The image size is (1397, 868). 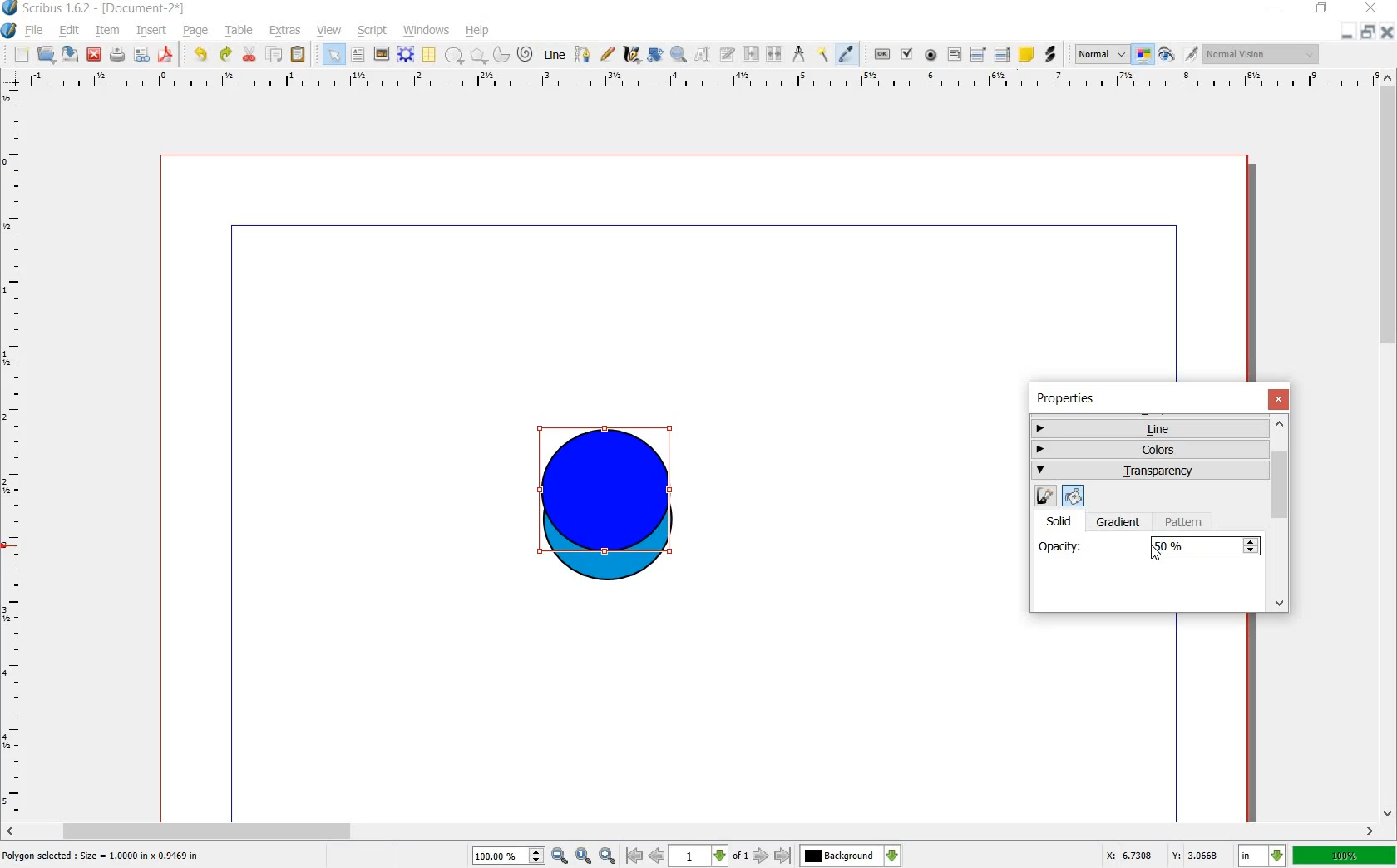 I want to click on ruler, so click(x=701, y=84).